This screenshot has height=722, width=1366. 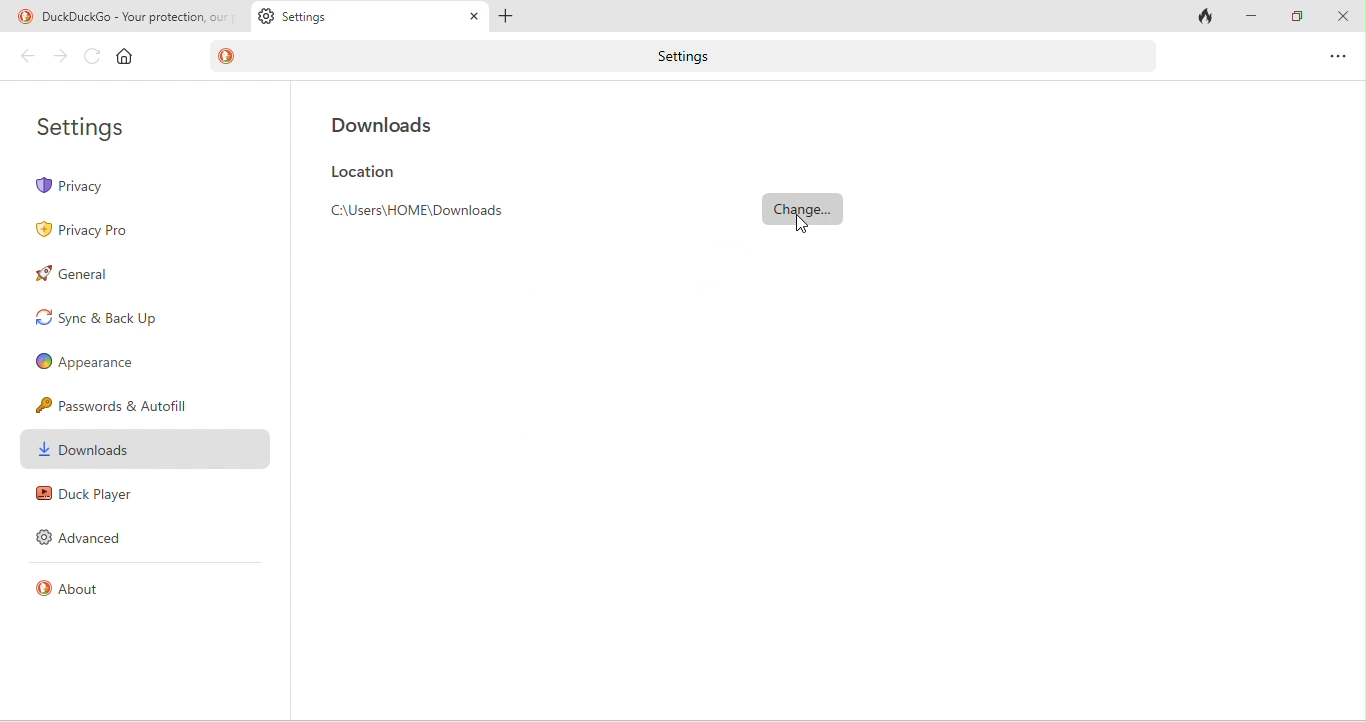 I want to click on minimize, so click(x=1252, y=15).